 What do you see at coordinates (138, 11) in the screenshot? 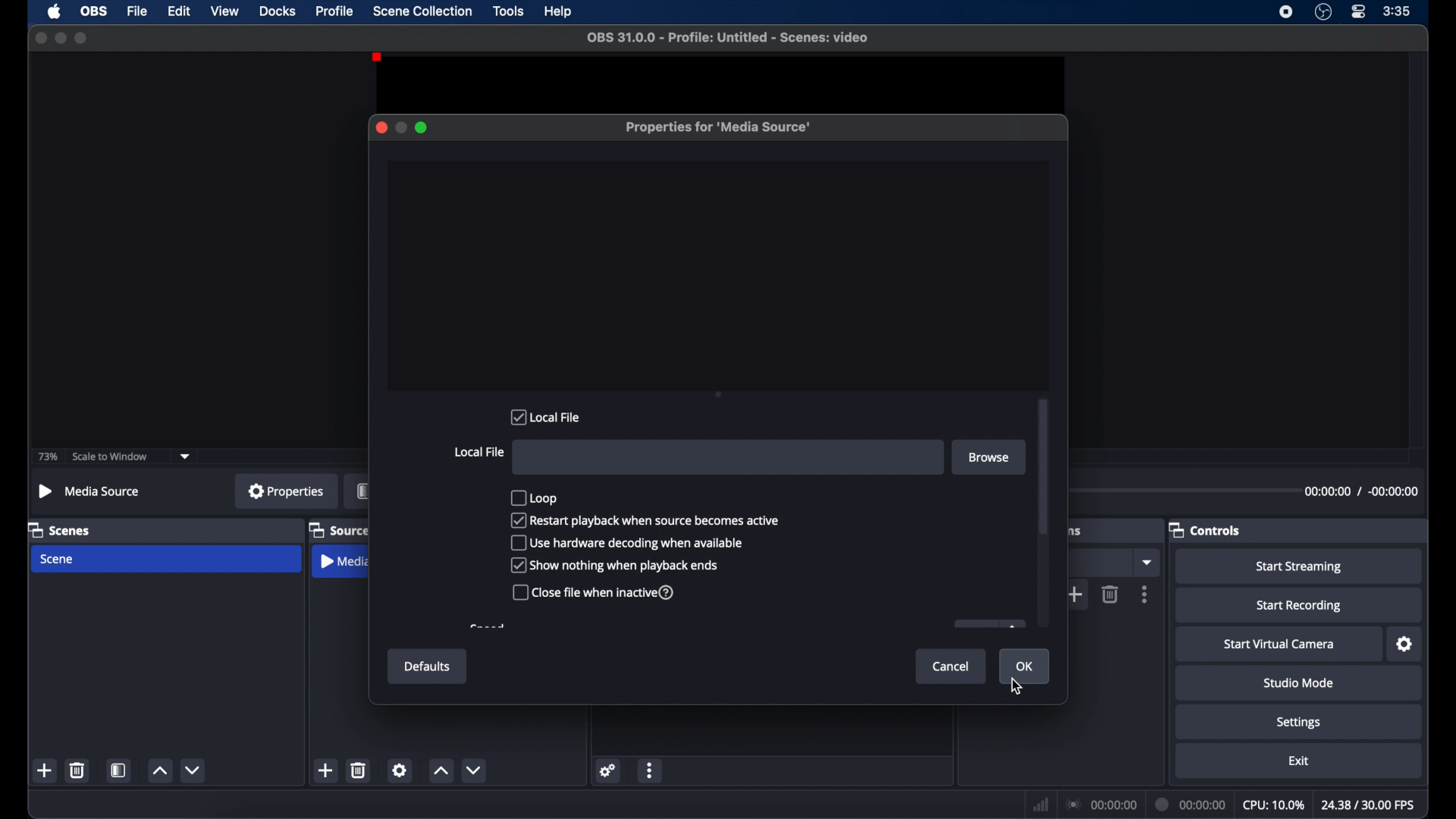
I see `file` at bounding box center [138, 11].